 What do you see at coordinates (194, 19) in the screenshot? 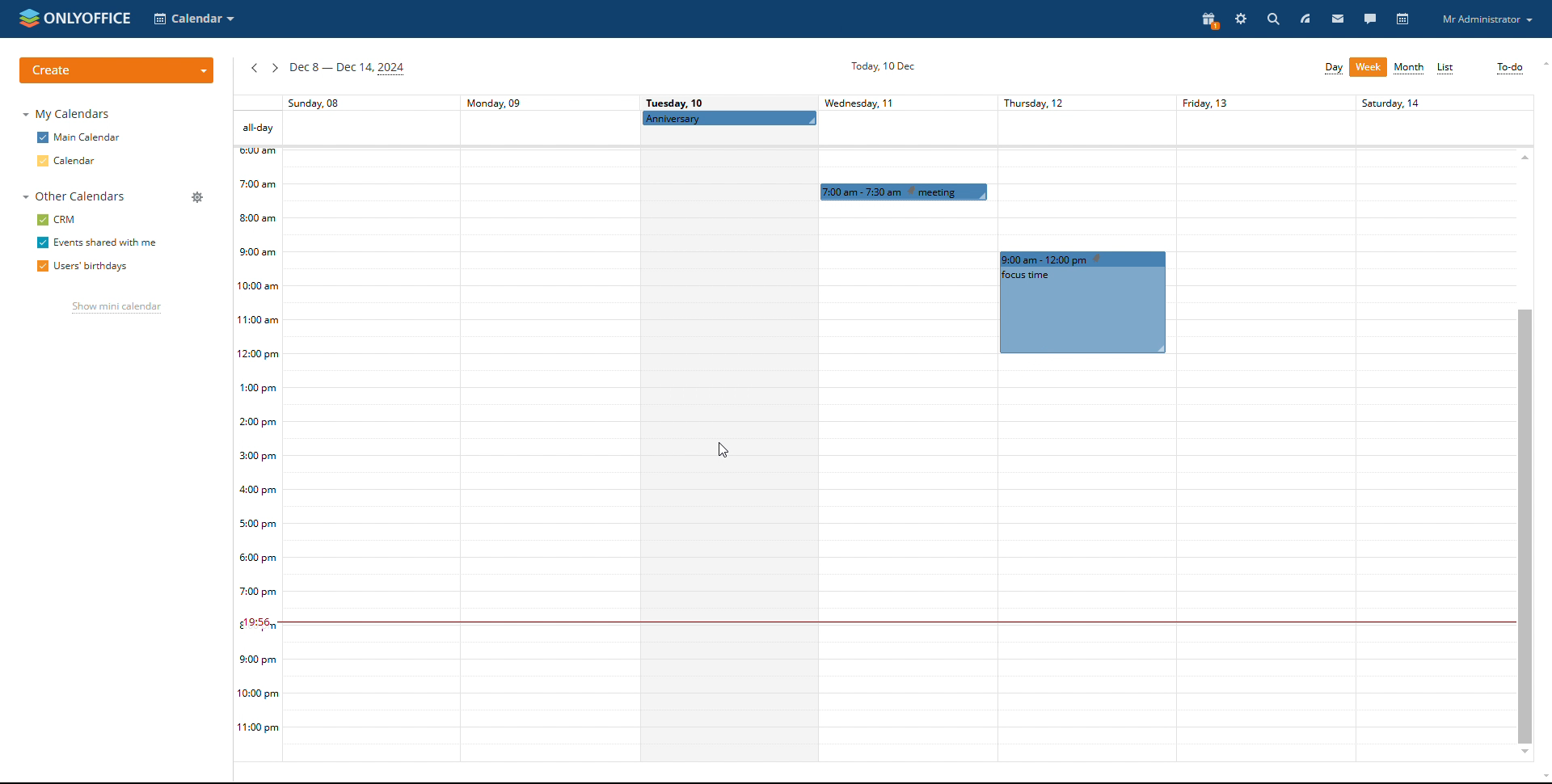
I see `select application` at bounding box center [194, 19].